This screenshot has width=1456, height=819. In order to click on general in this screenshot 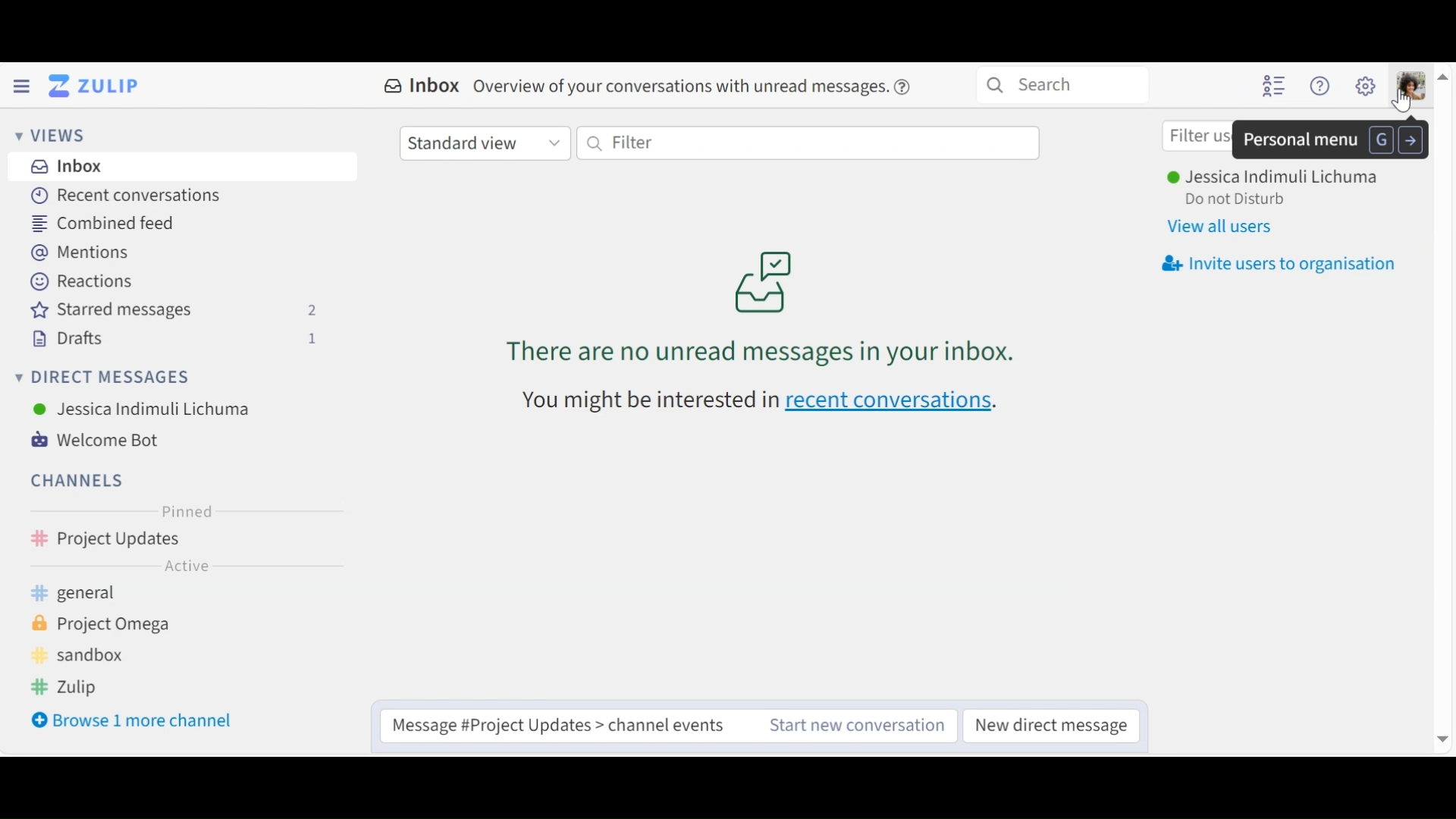, I will do `click(95, 595)`.